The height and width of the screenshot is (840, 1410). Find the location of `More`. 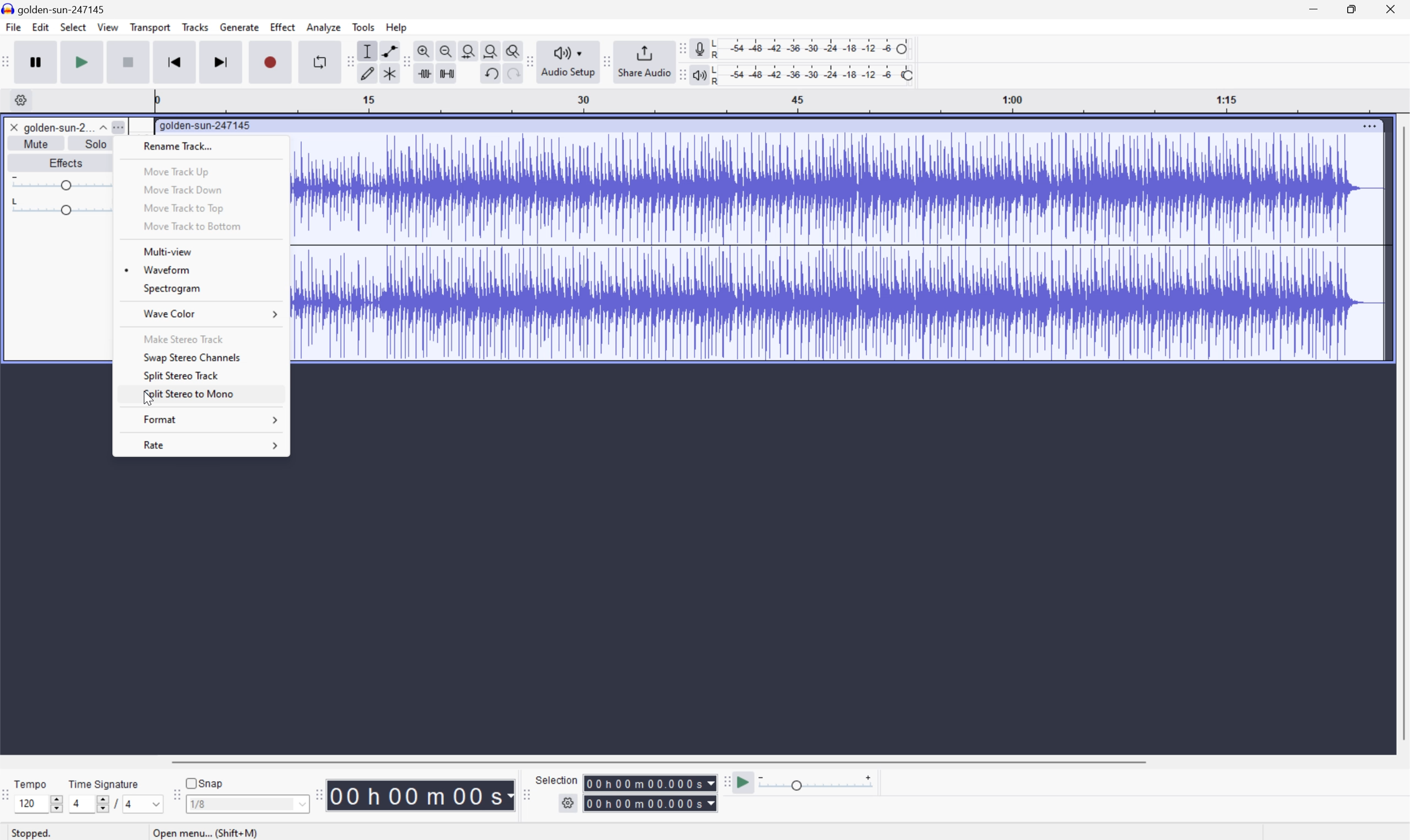

More is located at coordinates (1370, 126).